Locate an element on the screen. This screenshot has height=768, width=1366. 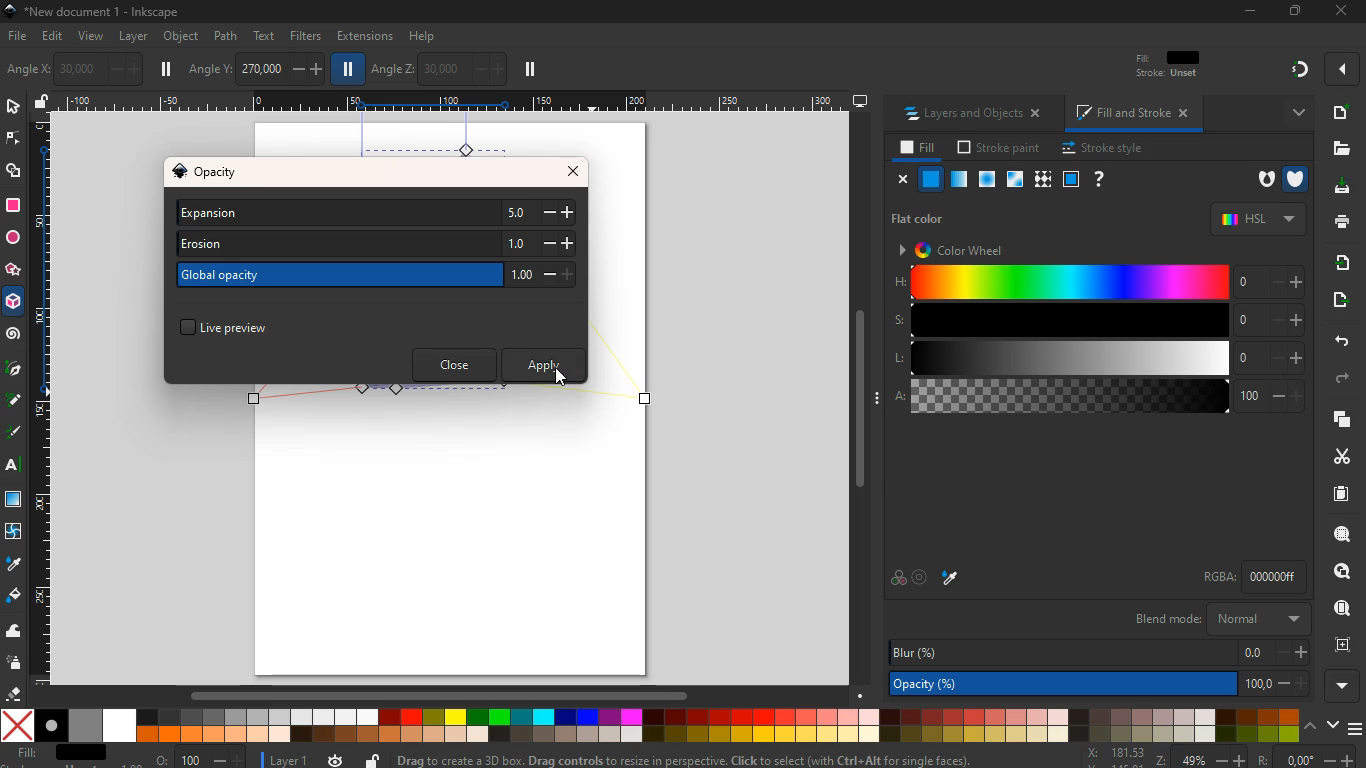
edge is located at coordinates (12, 140).